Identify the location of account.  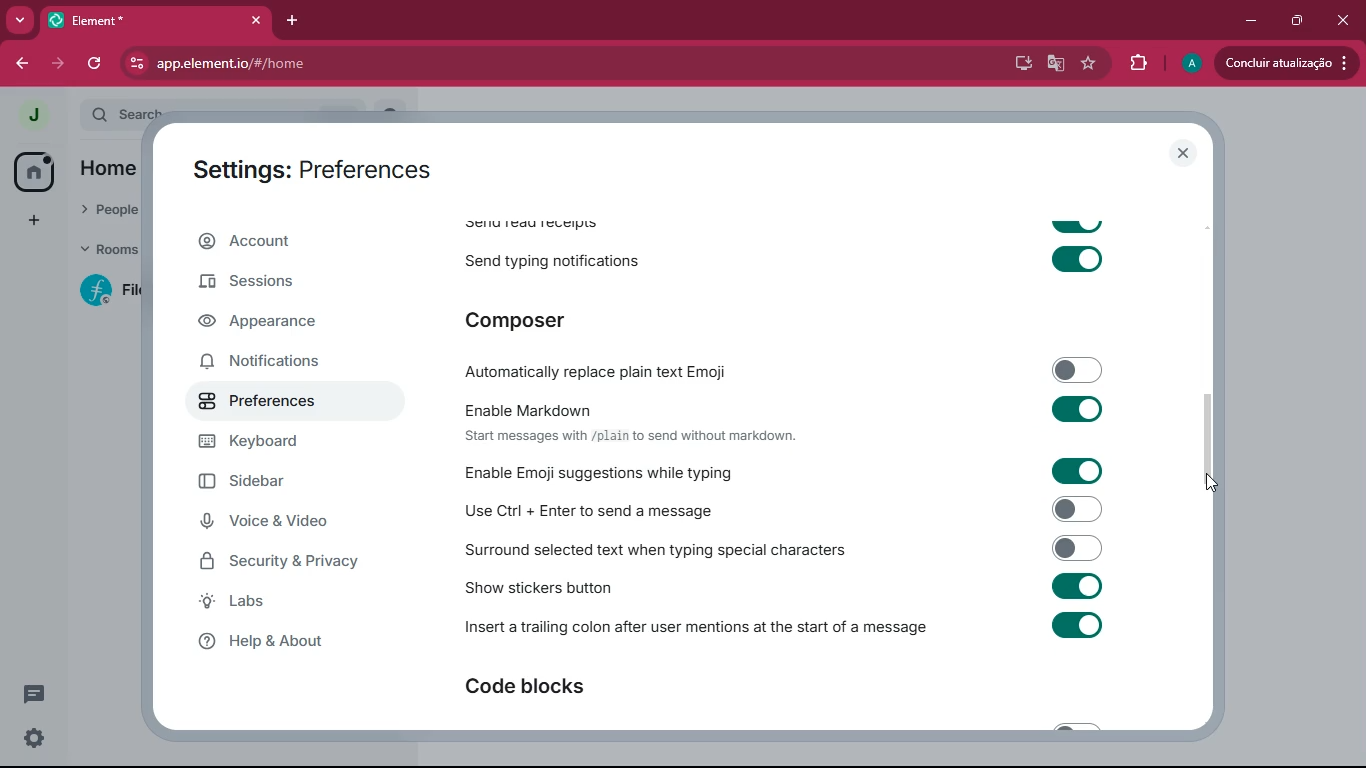
(284, 244).